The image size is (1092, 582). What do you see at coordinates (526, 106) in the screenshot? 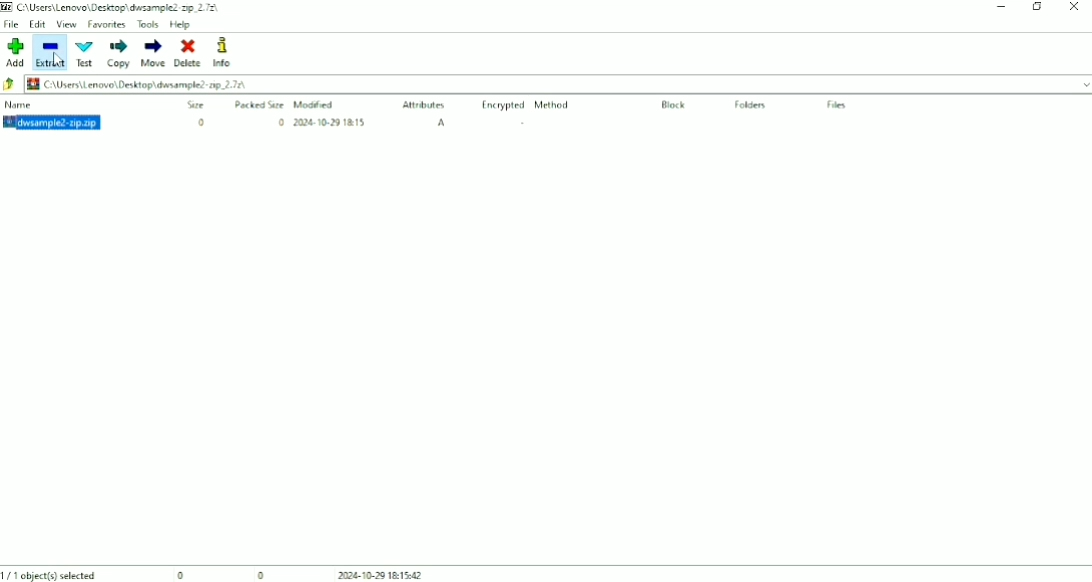
I see `Encrypted Method` at bounding box center [526, 106].